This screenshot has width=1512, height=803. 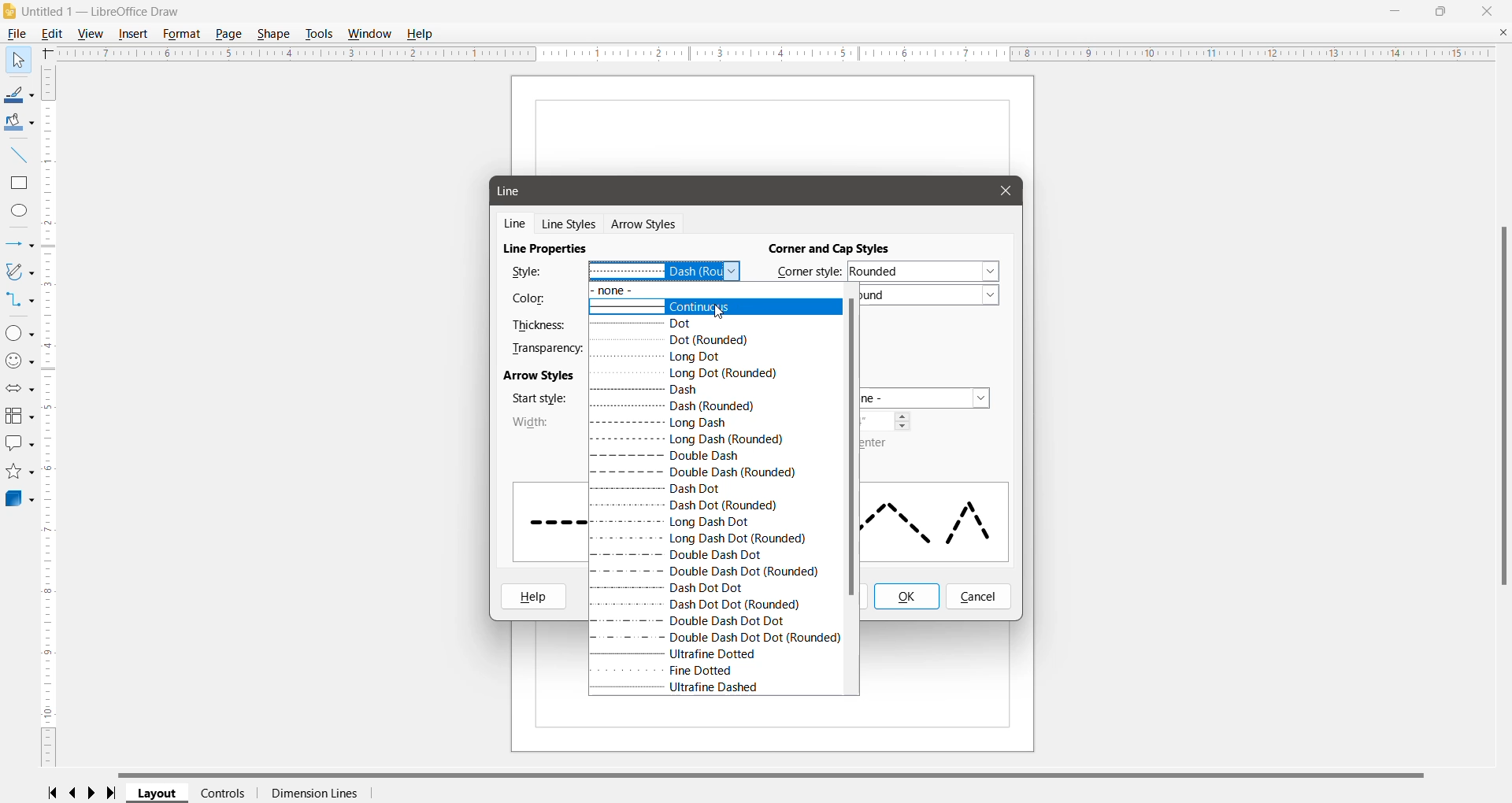 What do you see at coordinates (314, 794) in the screenshot?
I see `Dimension Lines` at bounding box center [314, 794].